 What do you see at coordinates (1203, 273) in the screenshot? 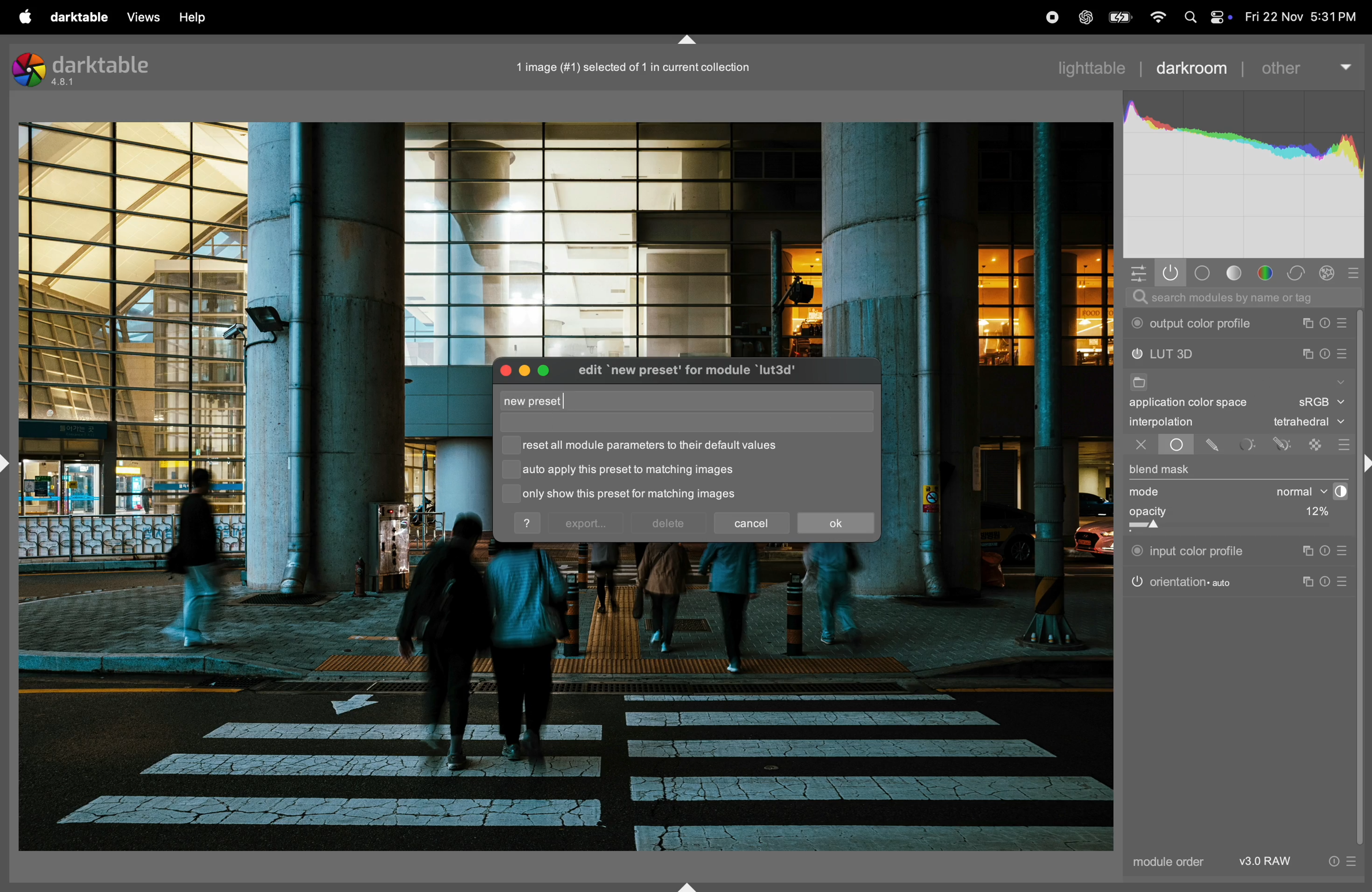
I see `base` at bounding box center [1203, 273].